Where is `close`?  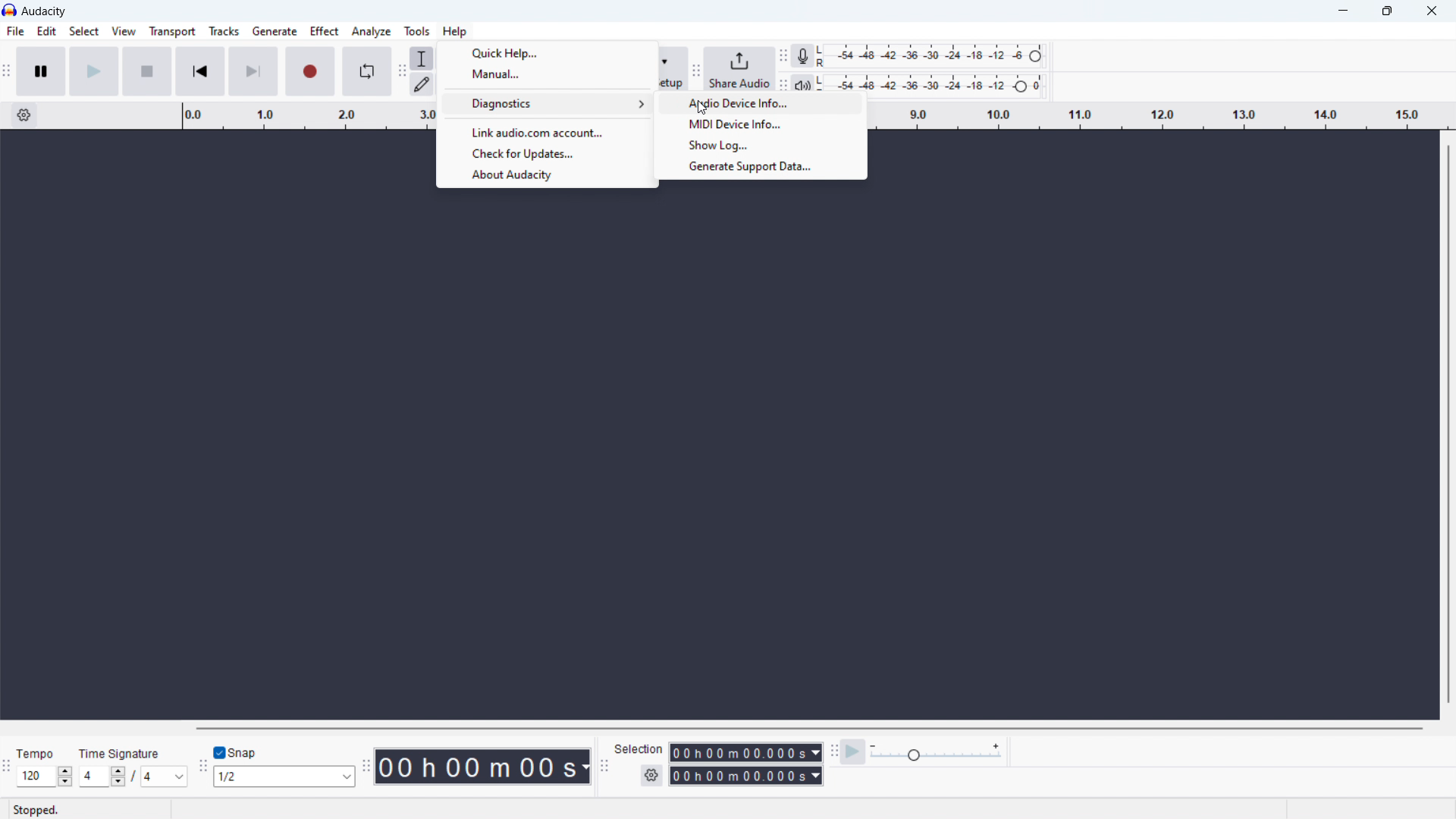 close is located at coordinates (1433, 11).